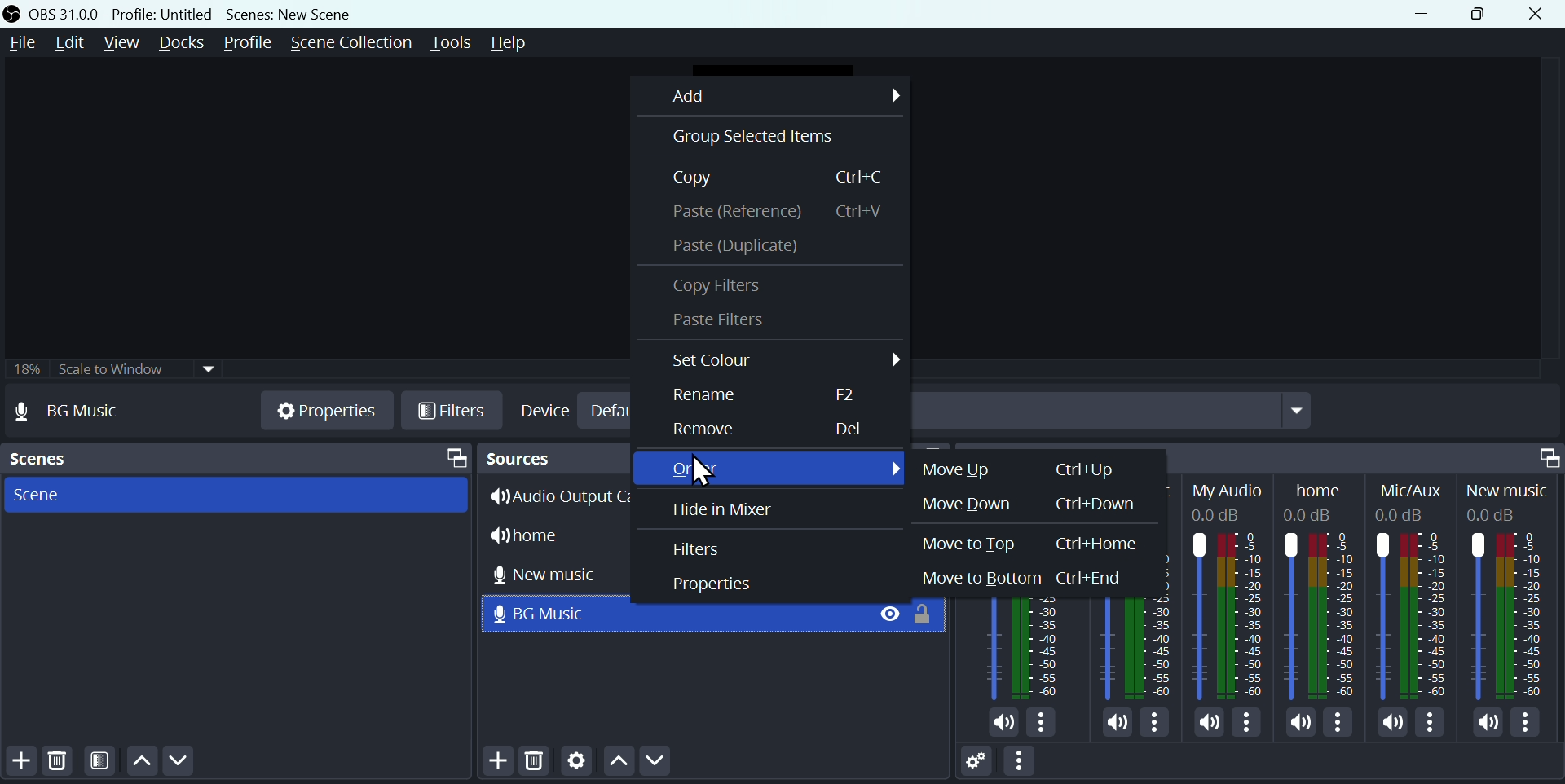 Image resolution: width=1565 pixels, height=784 pixels. What do you see at coordinates (250, 41) in the screenshot?
I see `Profile` at bounding box center [250, 41].